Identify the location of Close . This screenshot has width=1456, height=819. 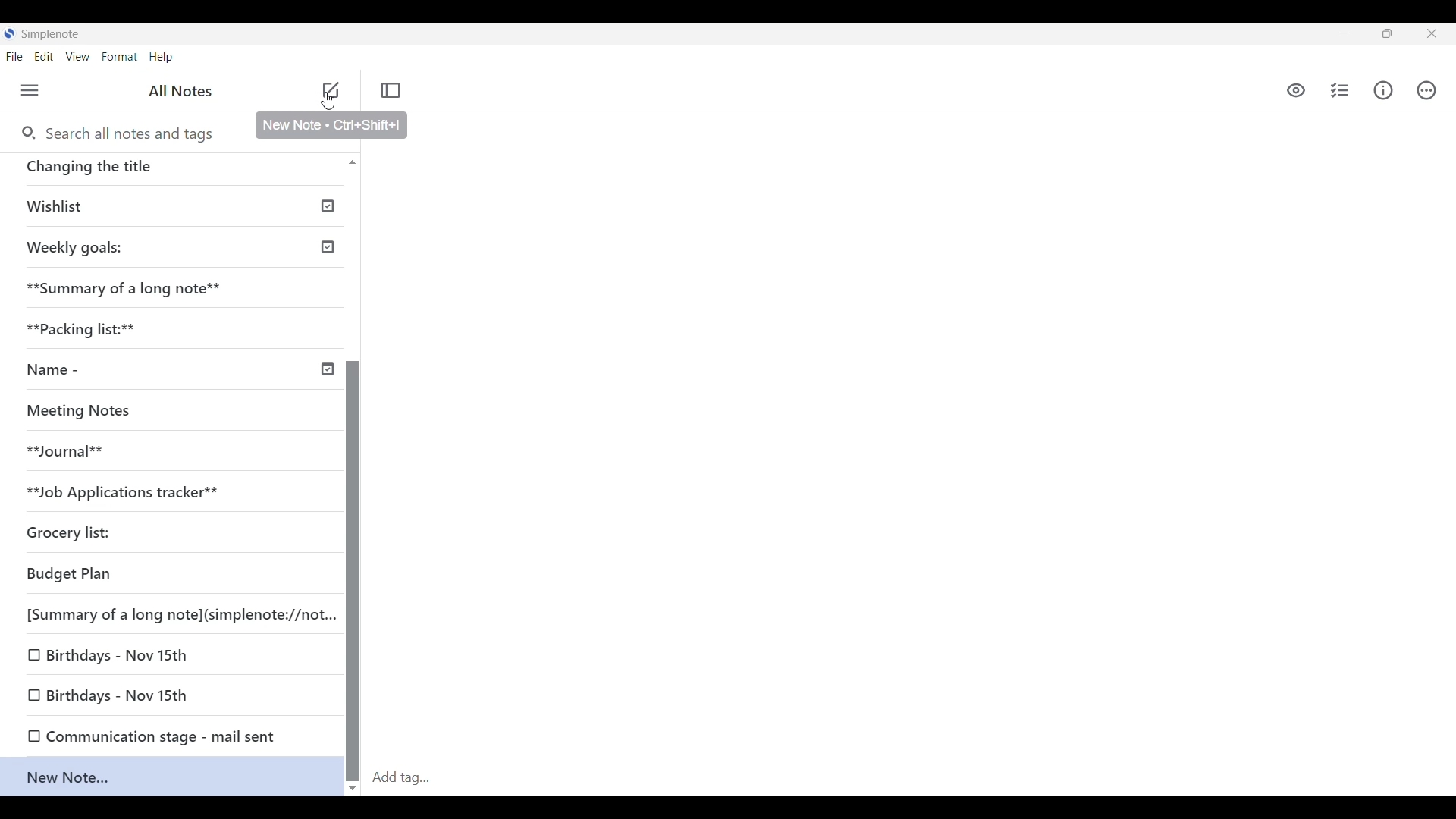
(1432, 33).